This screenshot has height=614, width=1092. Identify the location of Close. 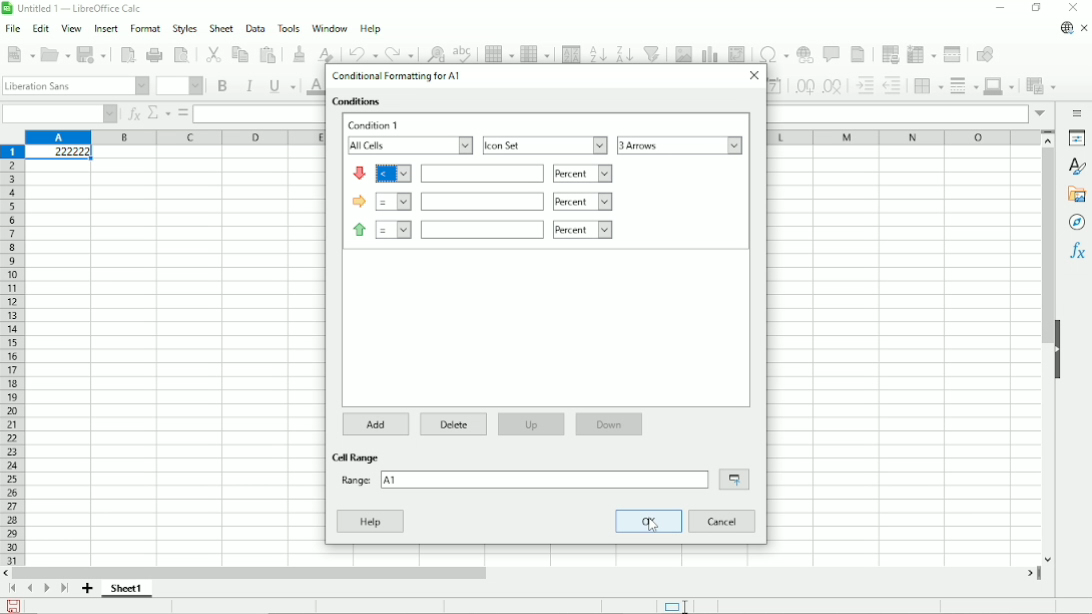
(753, 75).